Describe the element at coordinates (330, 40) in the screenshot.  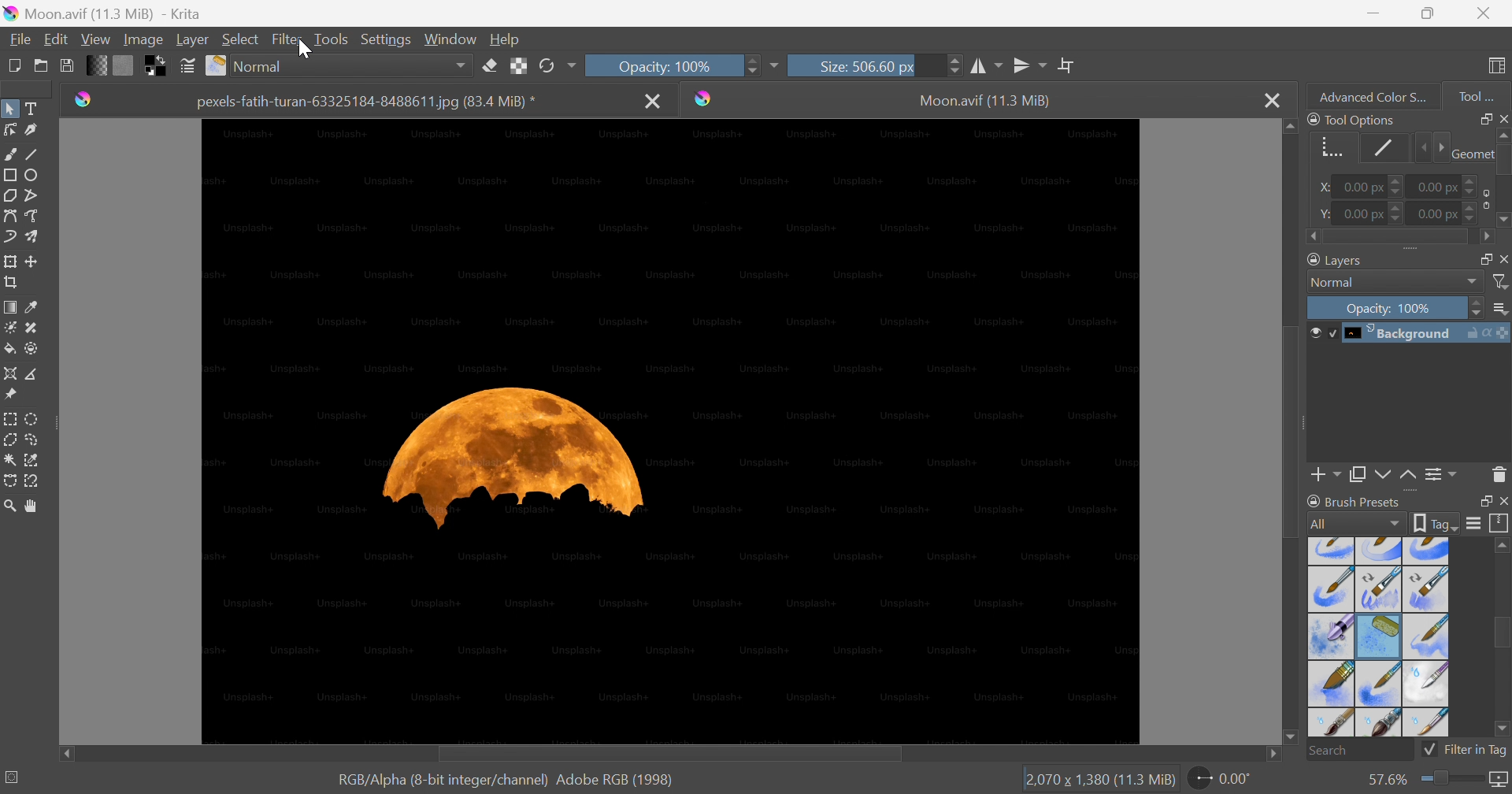
I see `Tools` at that location.